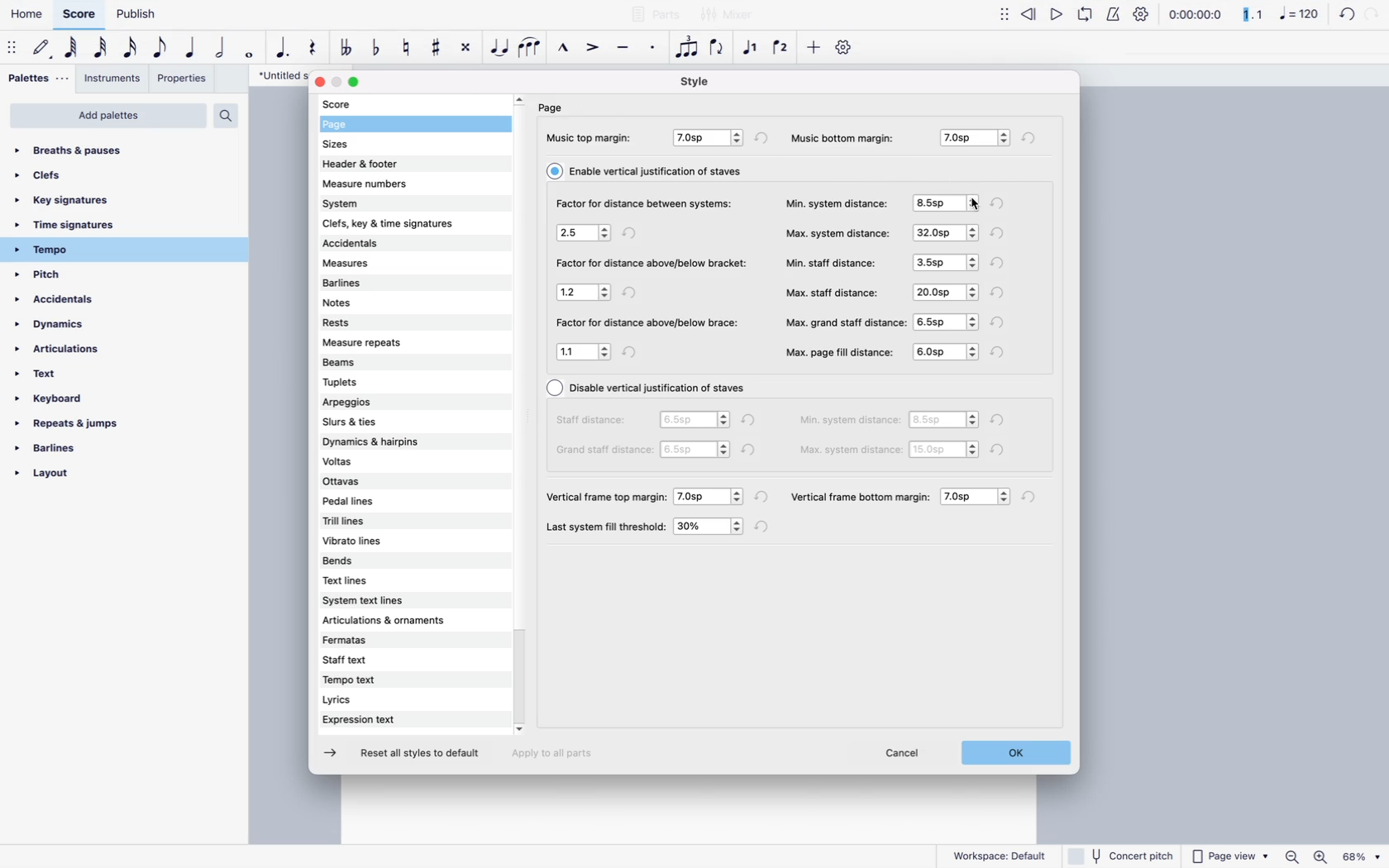  Describe the element at coordinates (69, 276) in the screenshot. I see `pitch` at that location.